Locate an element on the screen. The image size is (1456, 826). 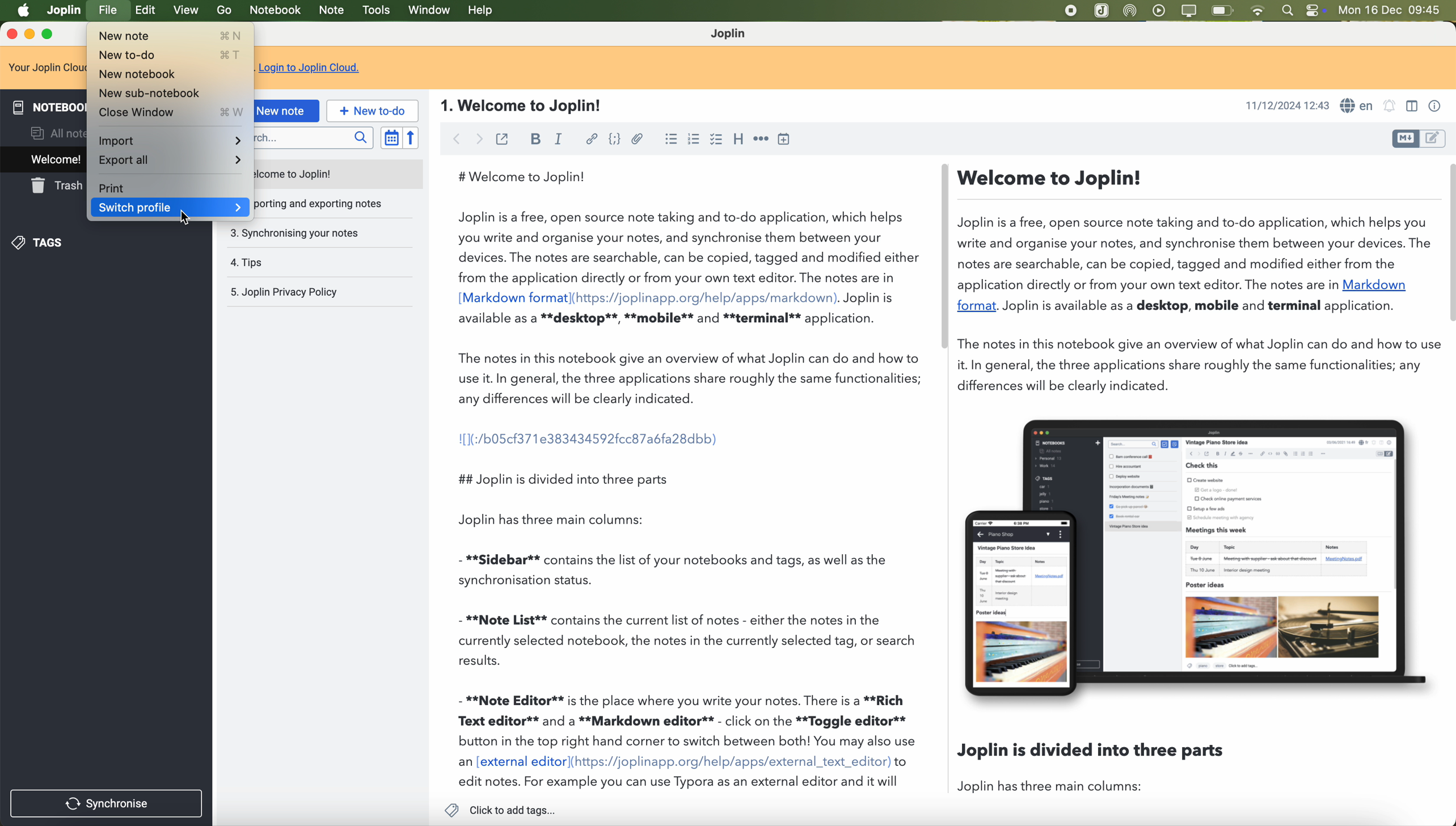
attach file is located at coordinates (639, 138).